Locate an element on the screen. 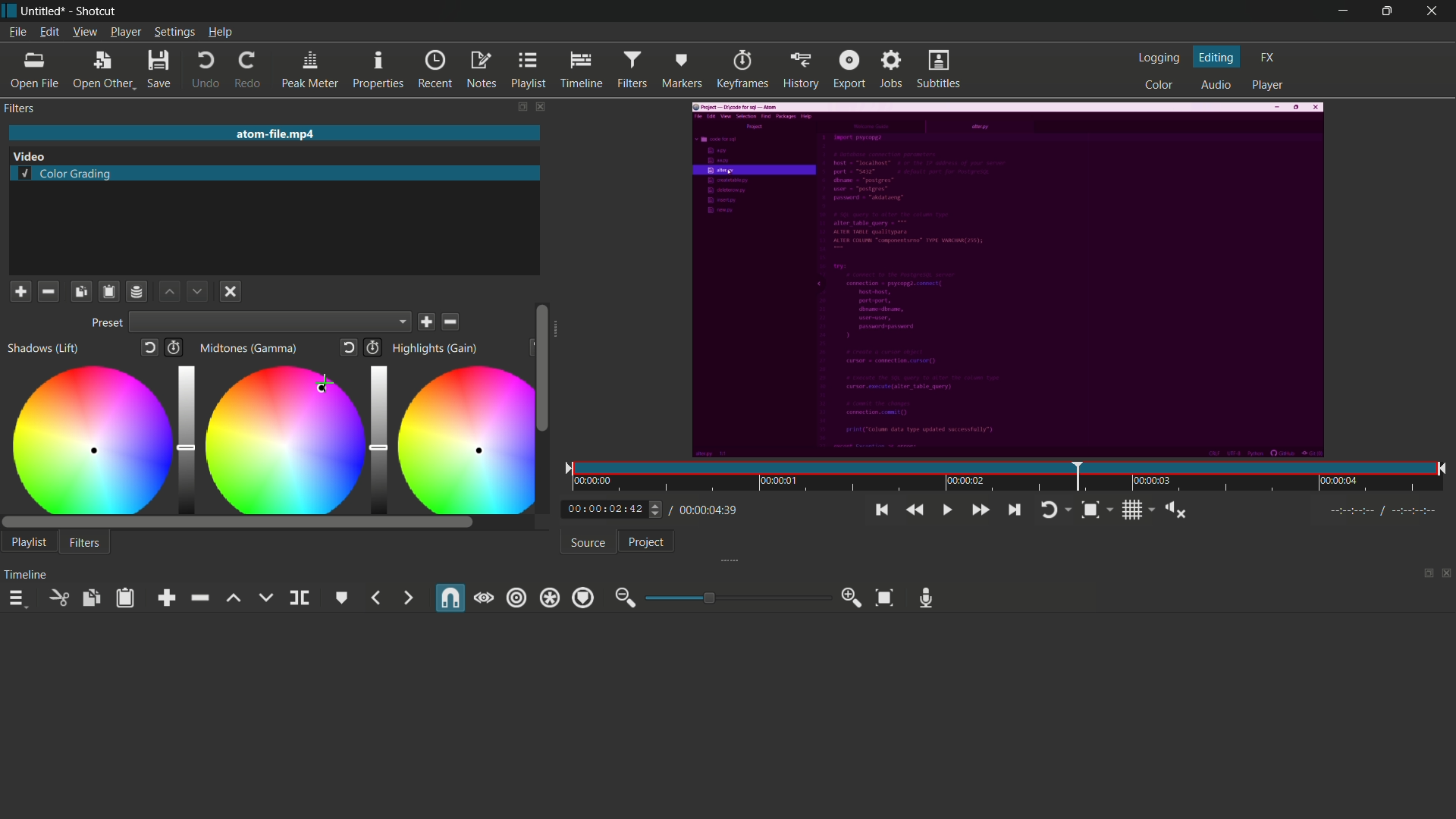 The image size is (1456, 819). close app is located at coordinates (1433, 11).